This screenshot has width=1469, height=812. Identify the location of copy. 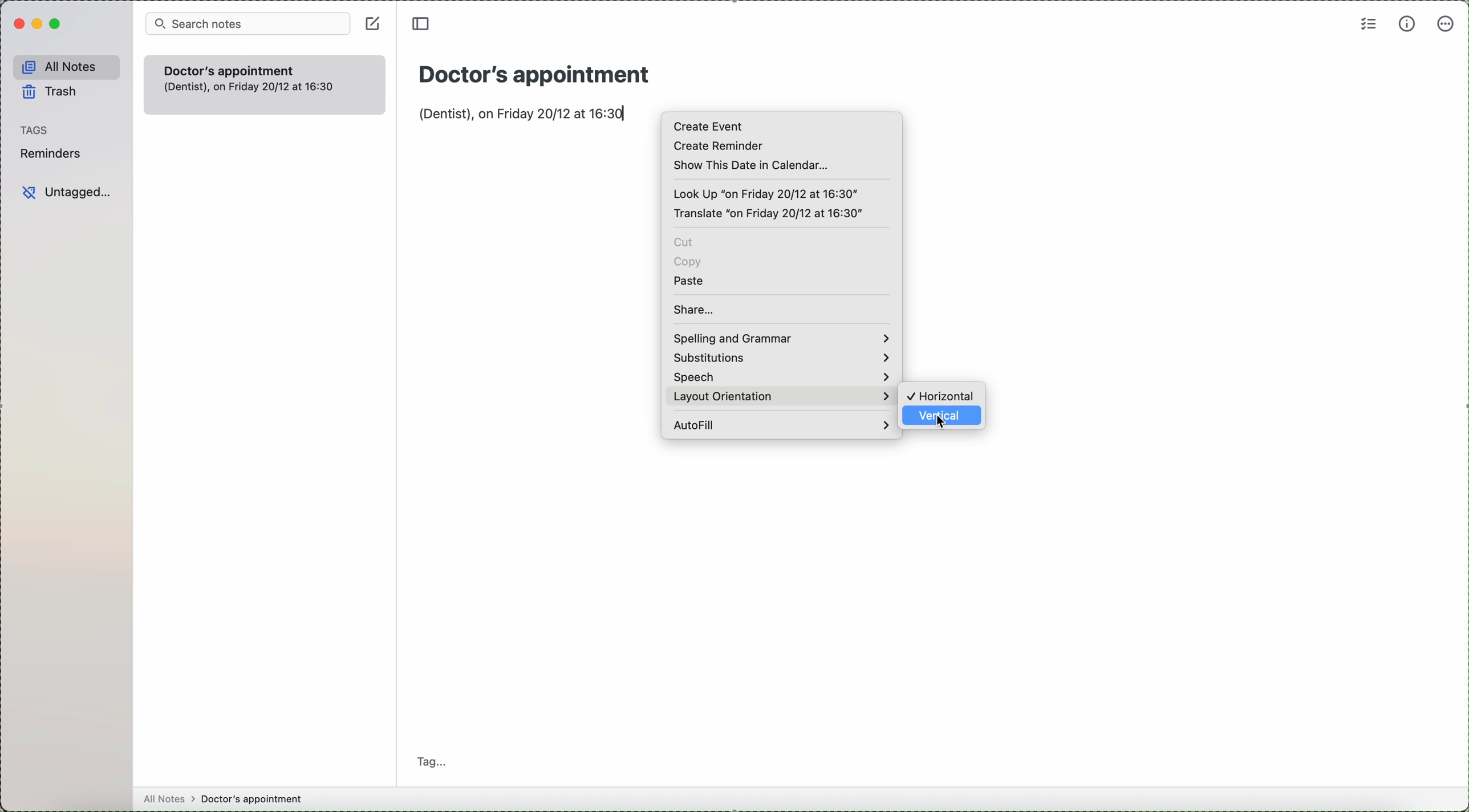
(688, 262).